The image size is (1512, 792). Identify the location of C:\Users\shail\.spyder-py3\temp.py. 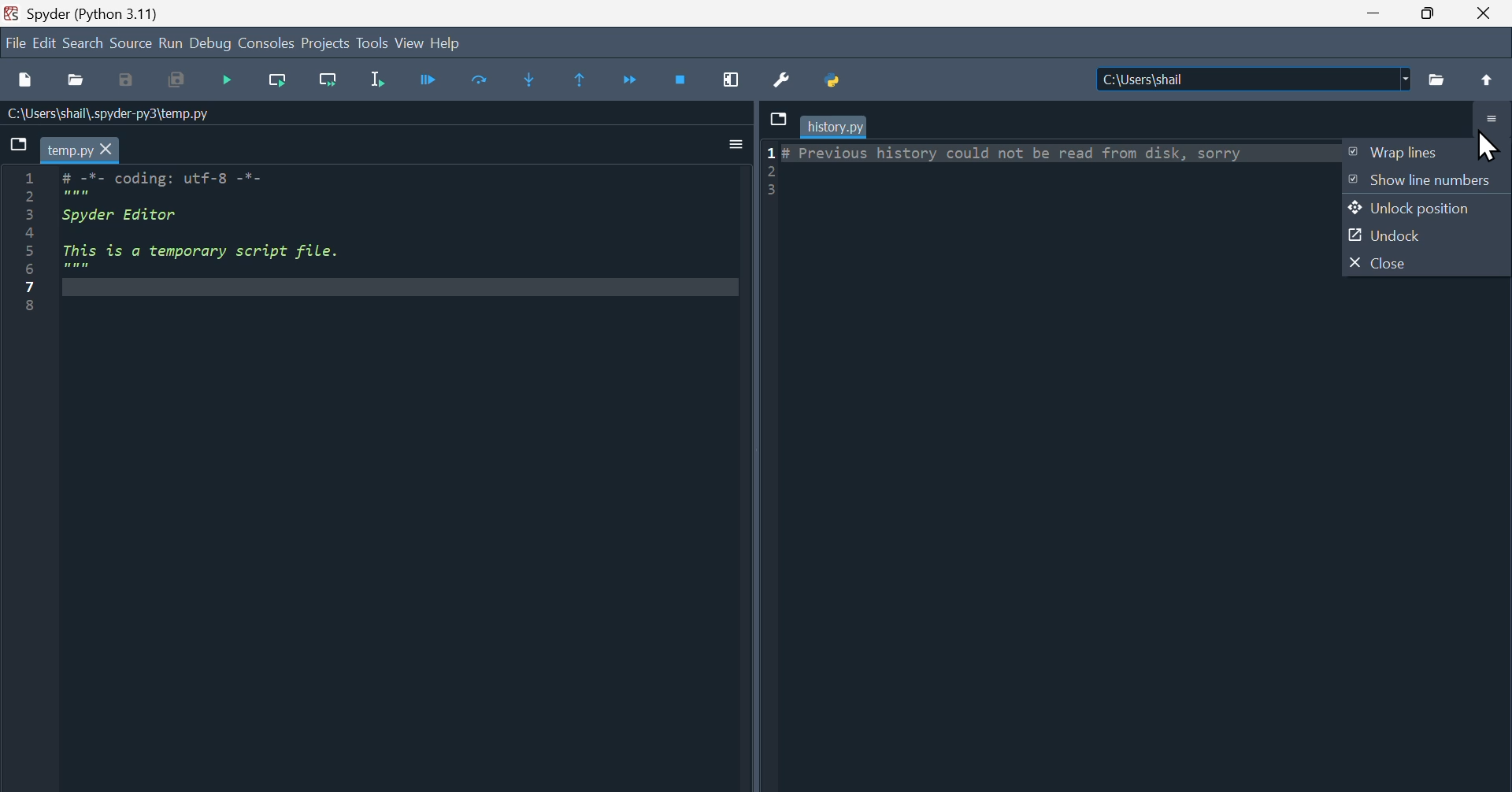
(109, 117).